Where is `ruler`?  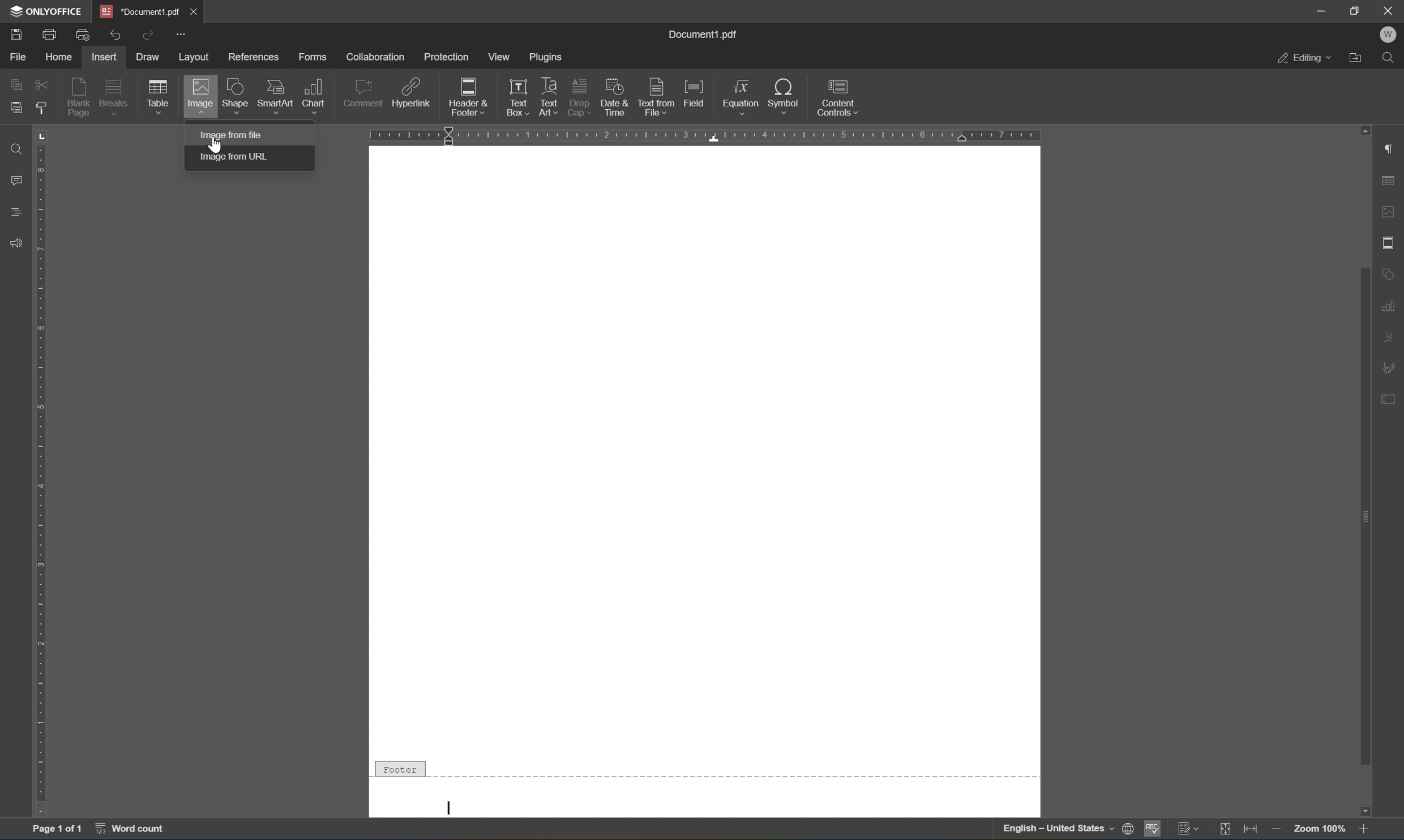
ruler is located at coordinates (41, 488).